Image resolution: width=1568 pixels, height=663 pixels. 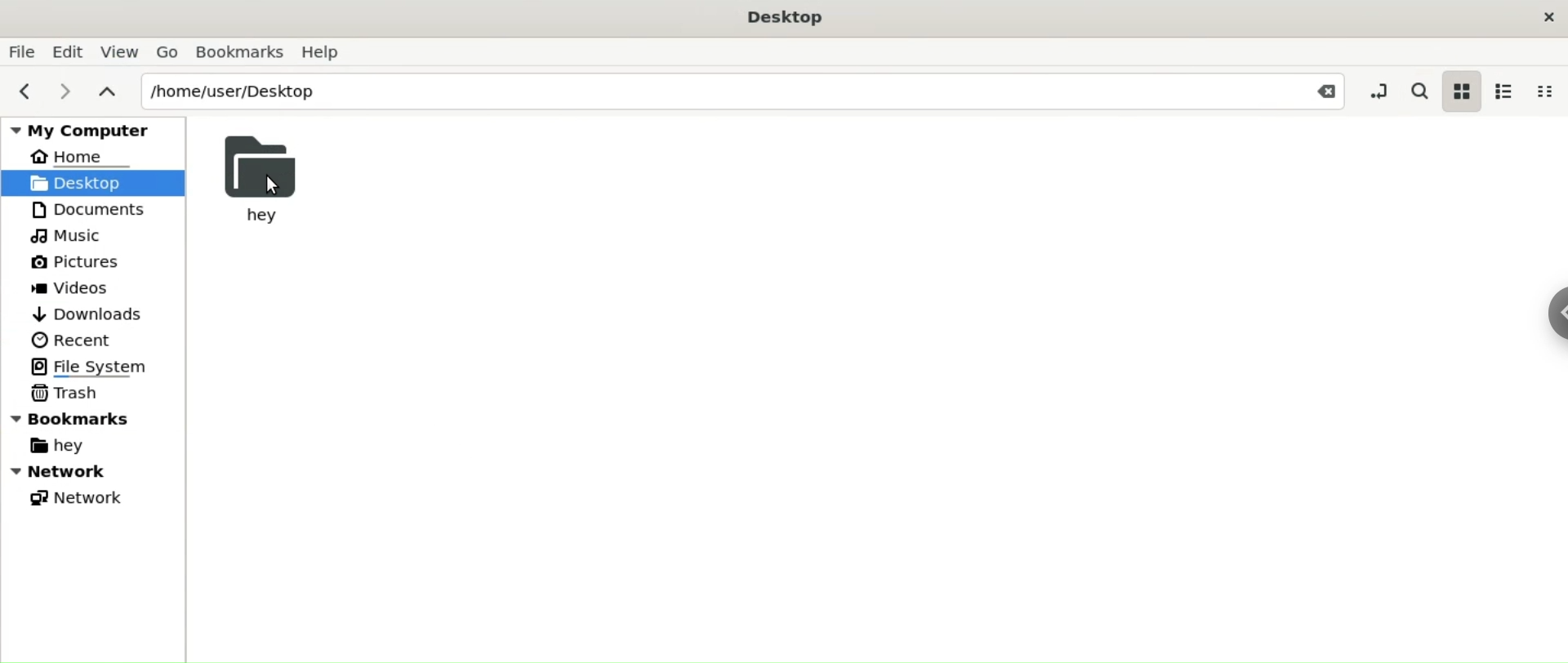 I want to click on Downloads, so click(x=95, y=314).